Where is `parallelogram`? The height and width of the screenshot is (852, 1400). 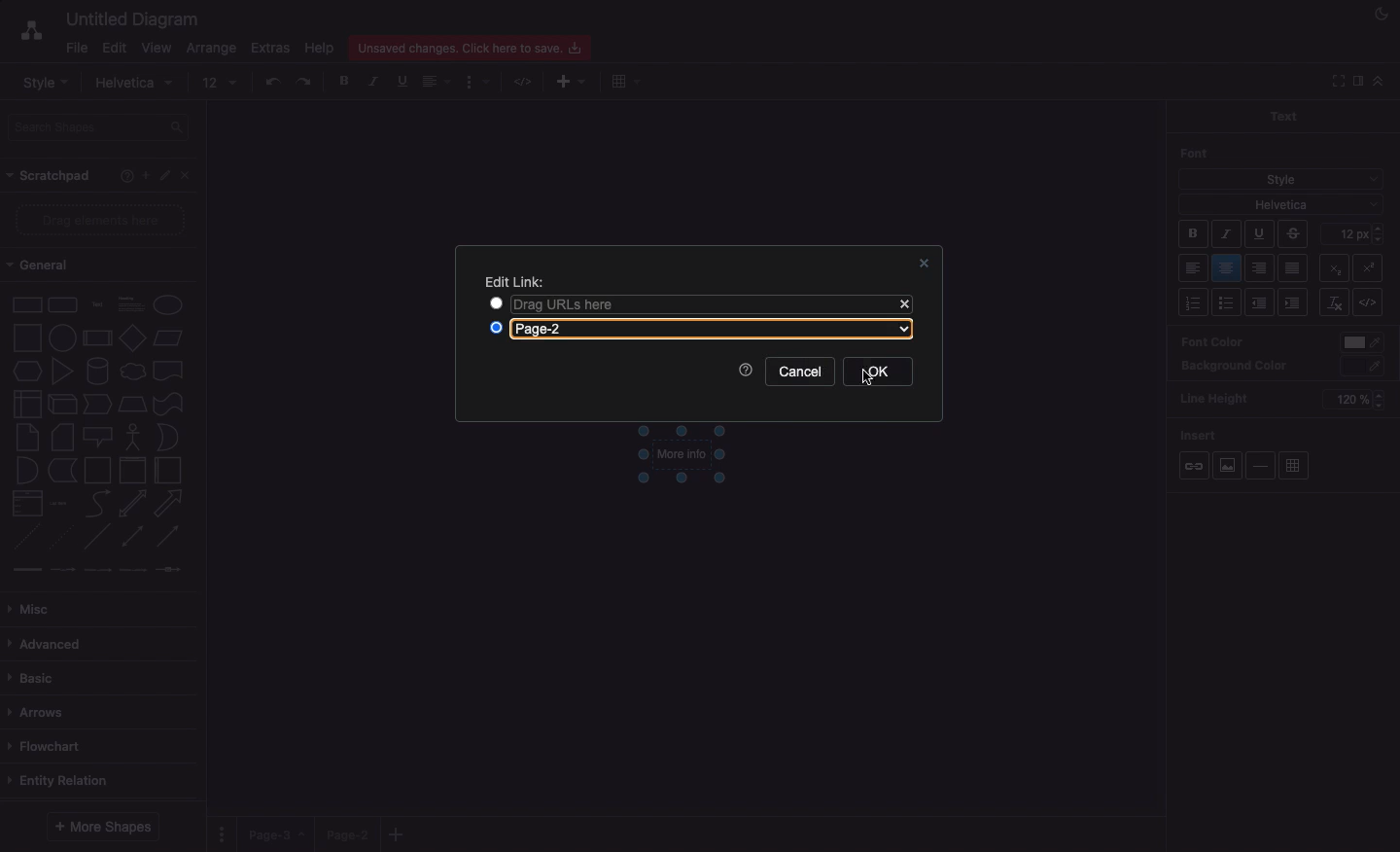
parallelogram is located at coordinates (168, 337).